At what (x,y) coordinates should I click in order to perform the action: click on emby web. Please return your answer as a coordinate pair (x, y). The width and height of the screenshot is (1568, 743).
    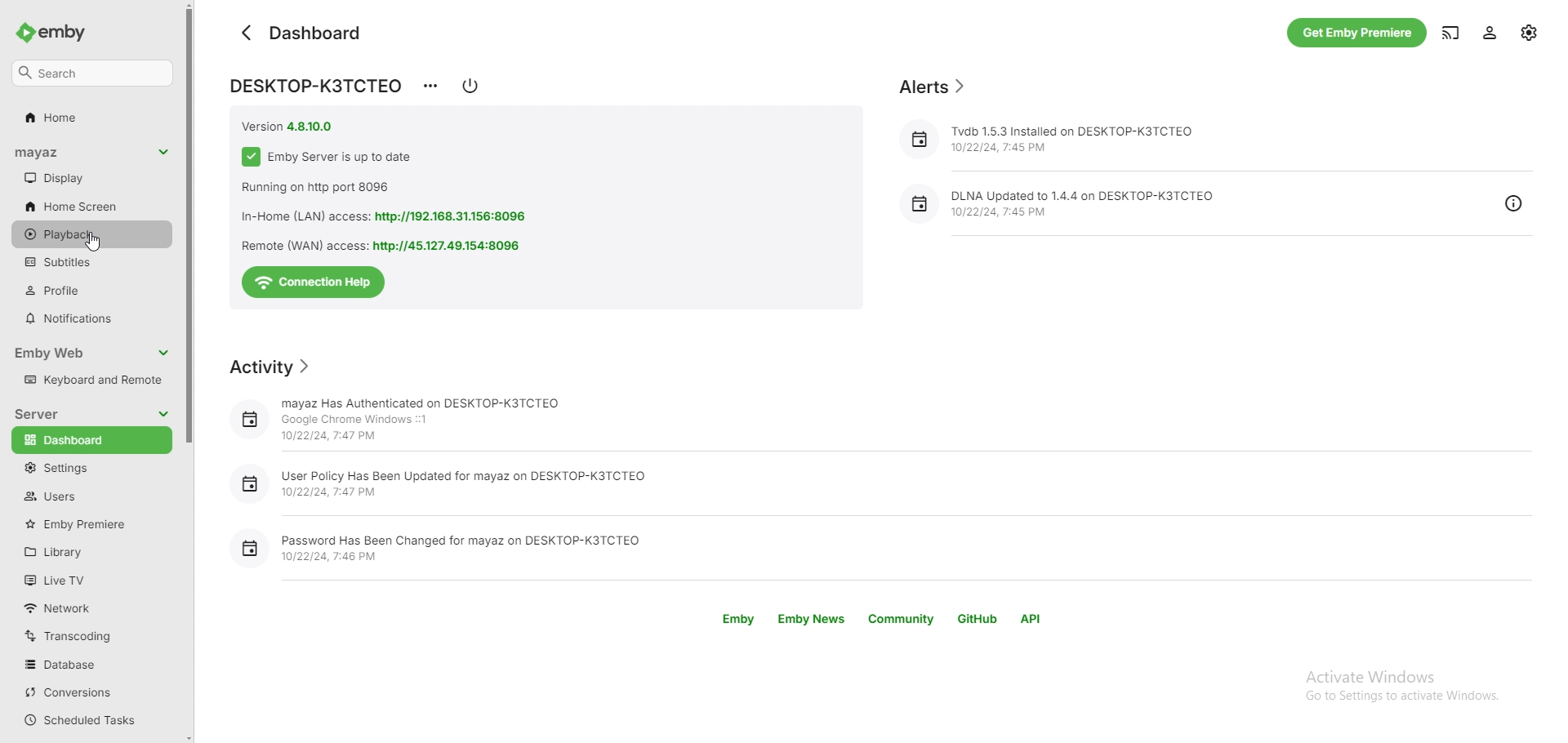
    Looking at the image, I should click on (77, 353).